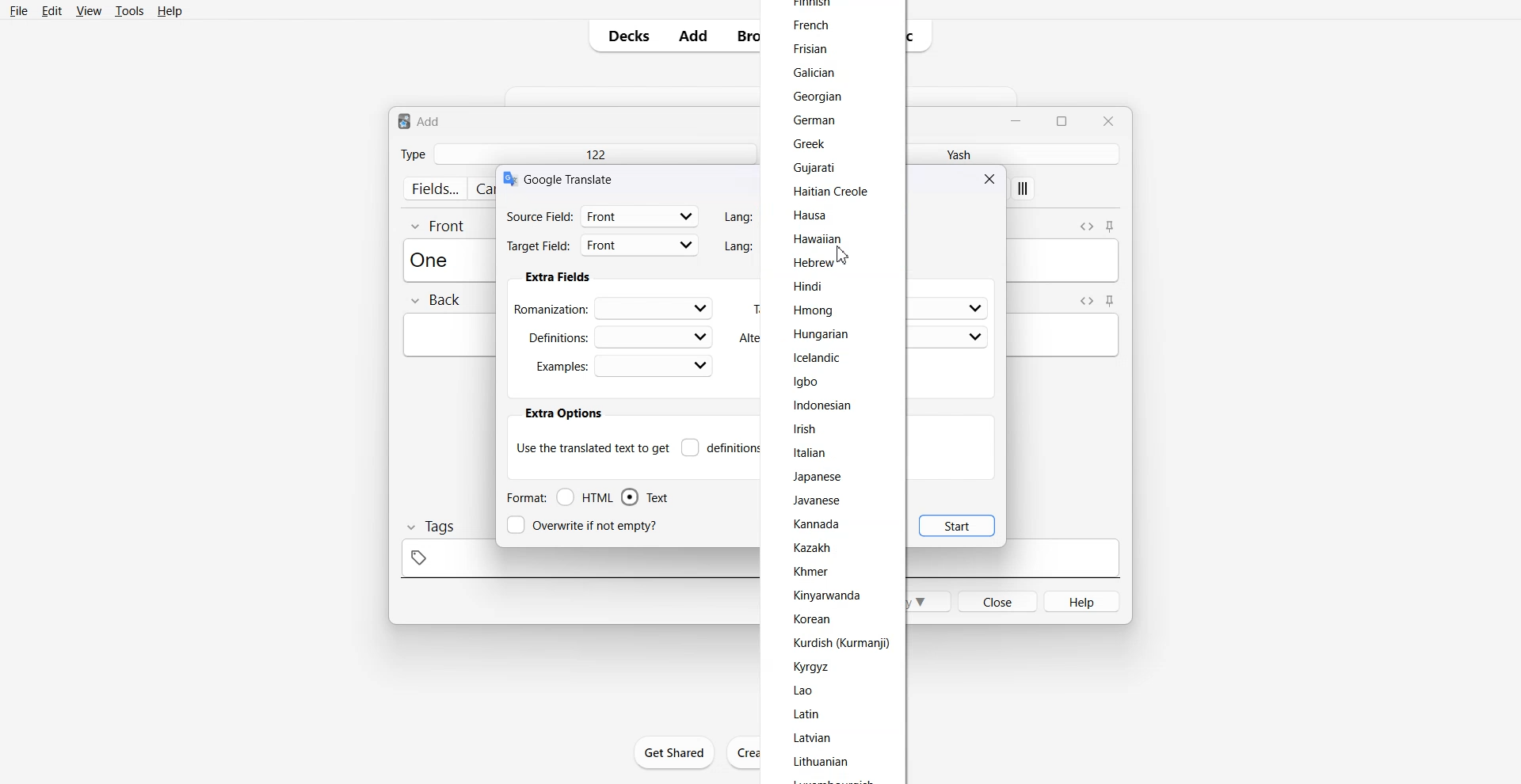 This screenshot has width=1521, height=784. I want to click on French, so click(810, 24).